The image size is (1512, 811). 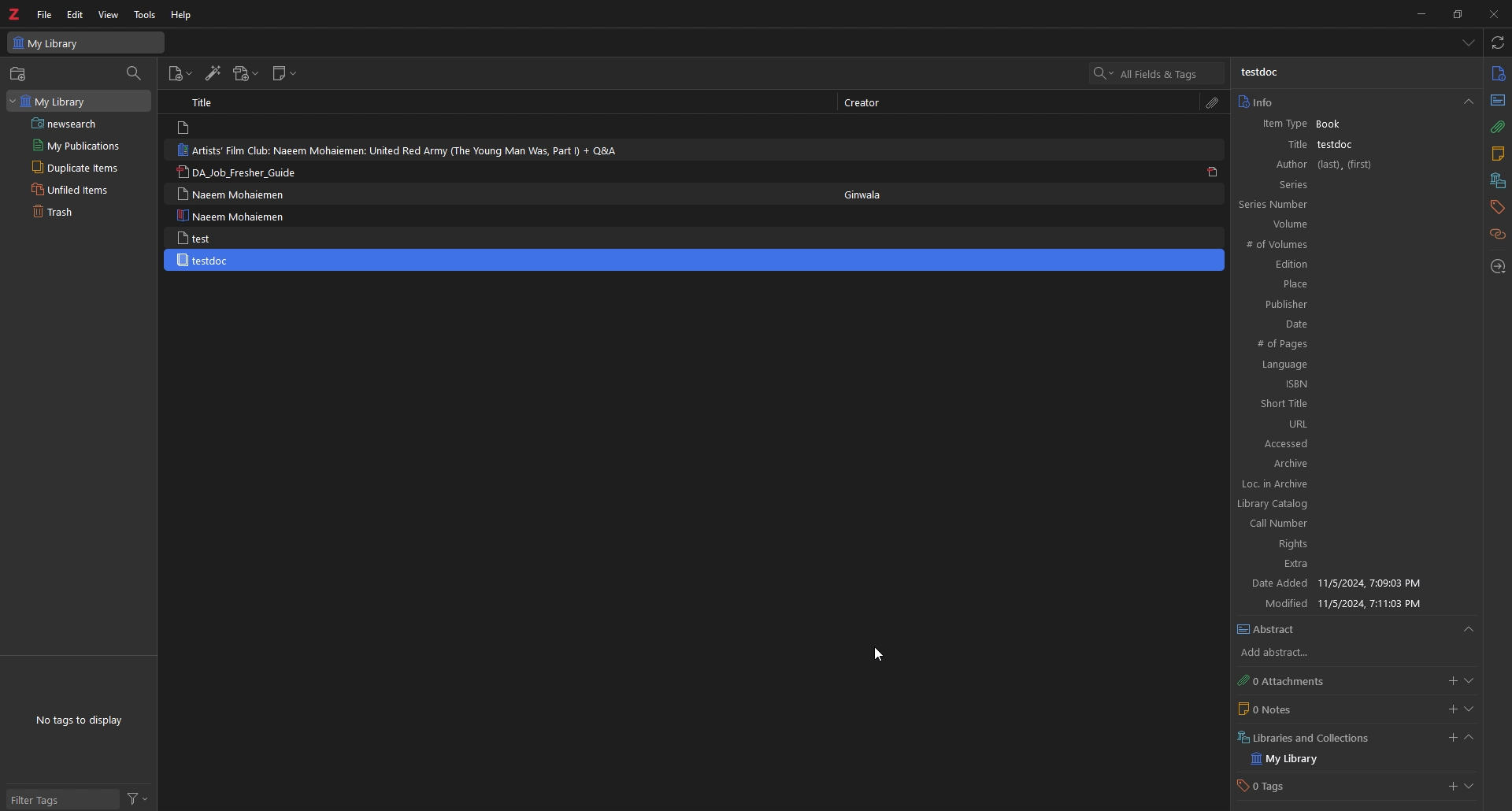 I want to click on 0 Notes, so click(x=1295, y=709).